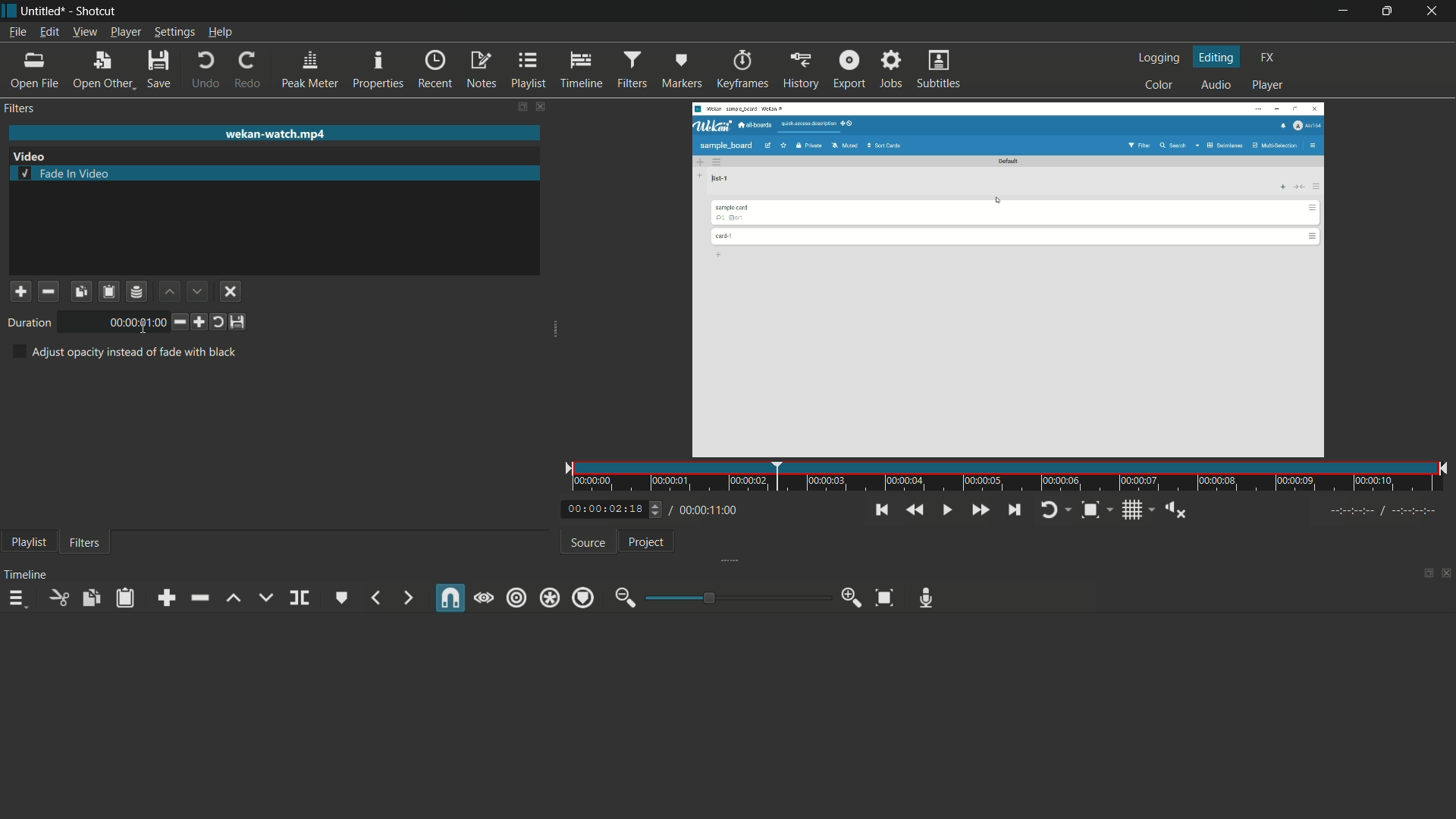 The height and width of the screenshot is (819, 1456). I want to click on file menu, so click(16, 33).